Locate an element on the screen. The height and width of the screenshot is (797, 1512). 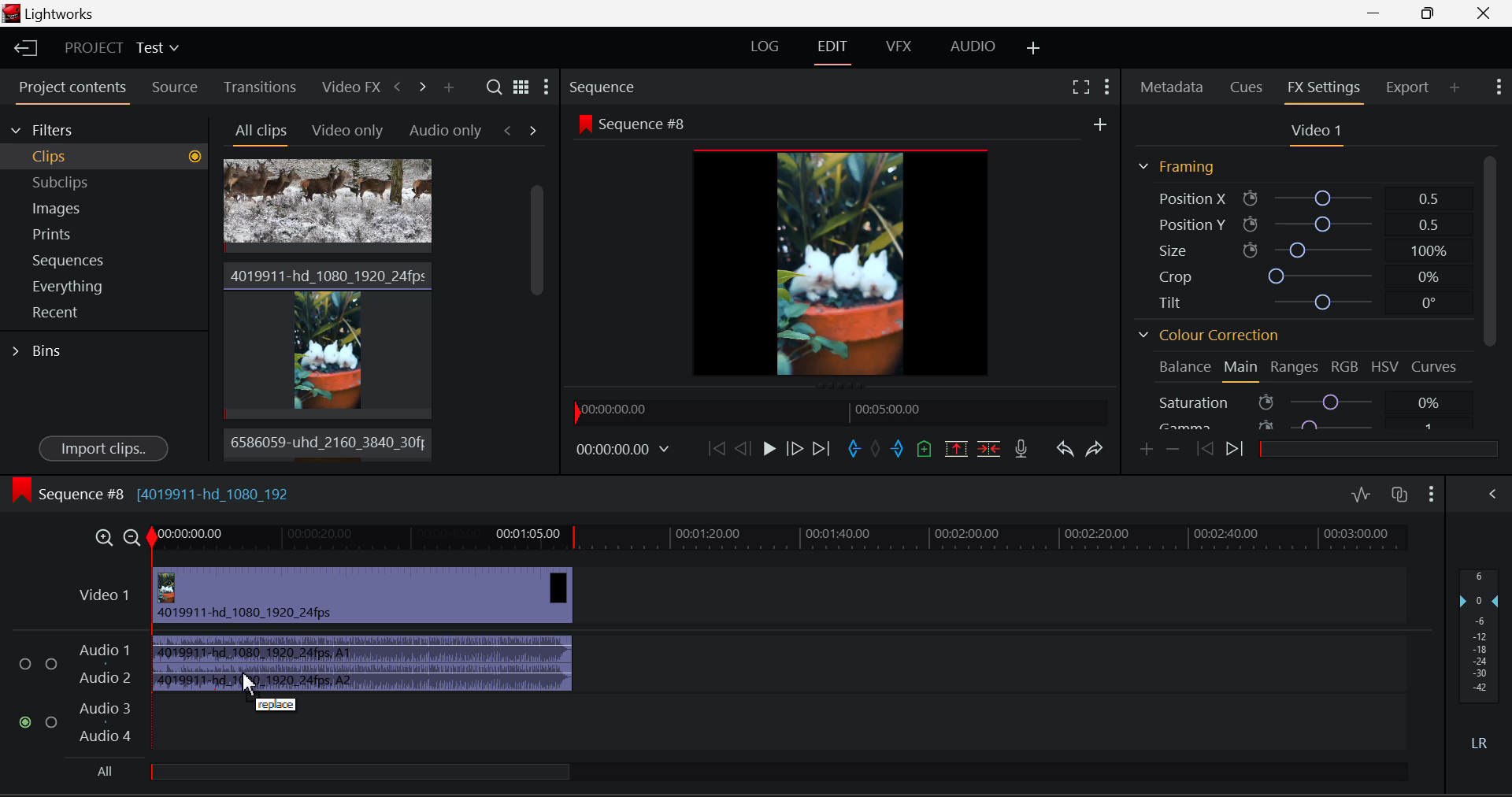
Next keyframe is located at coordinates (1237, 447).